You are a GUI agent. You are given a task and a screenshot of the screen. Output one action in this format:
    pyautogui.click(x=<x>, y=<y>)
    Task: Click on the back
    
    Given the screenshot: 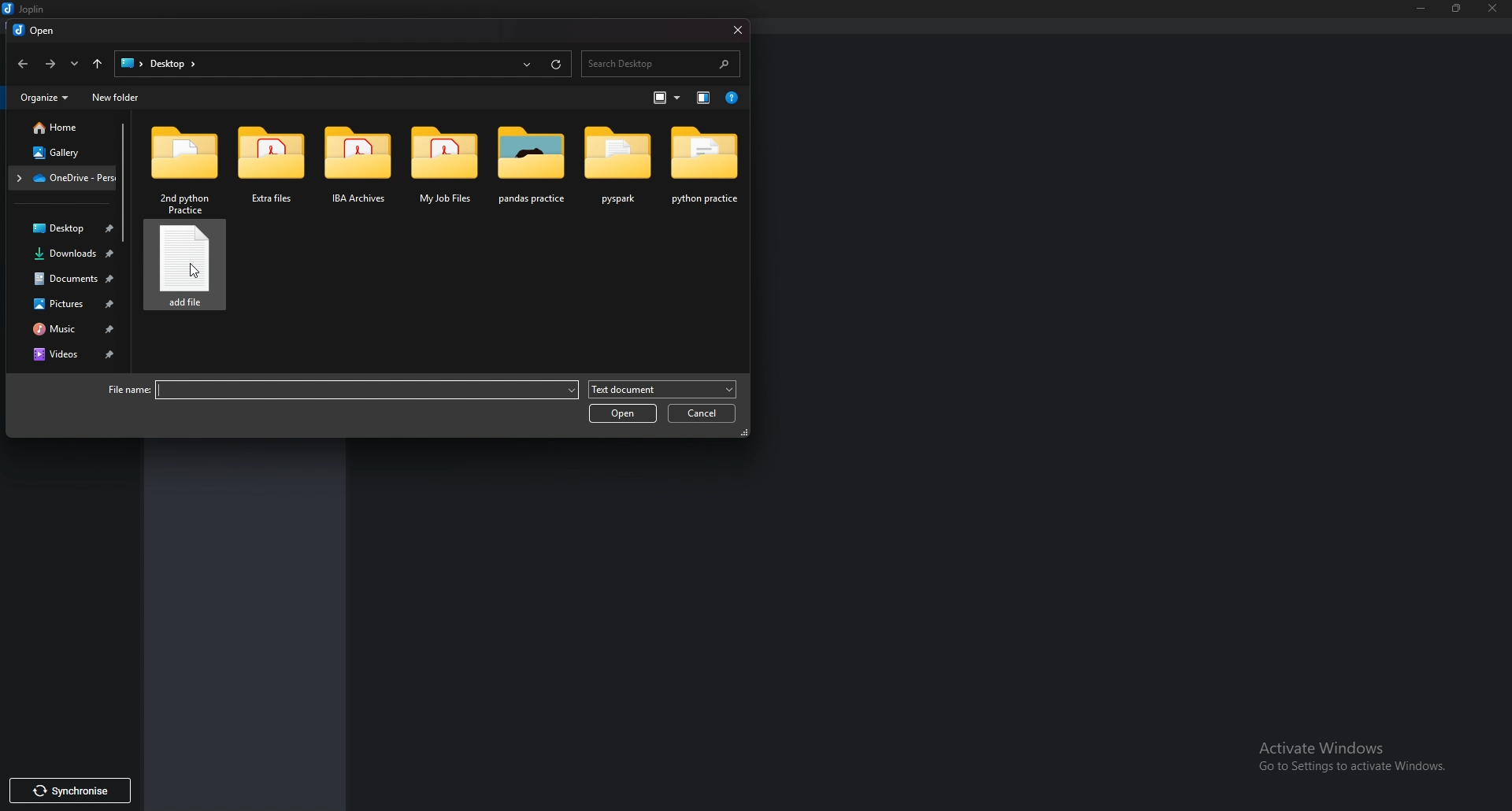 What is the action you would take?
    pyautogui.click(x=24, y=65)
    